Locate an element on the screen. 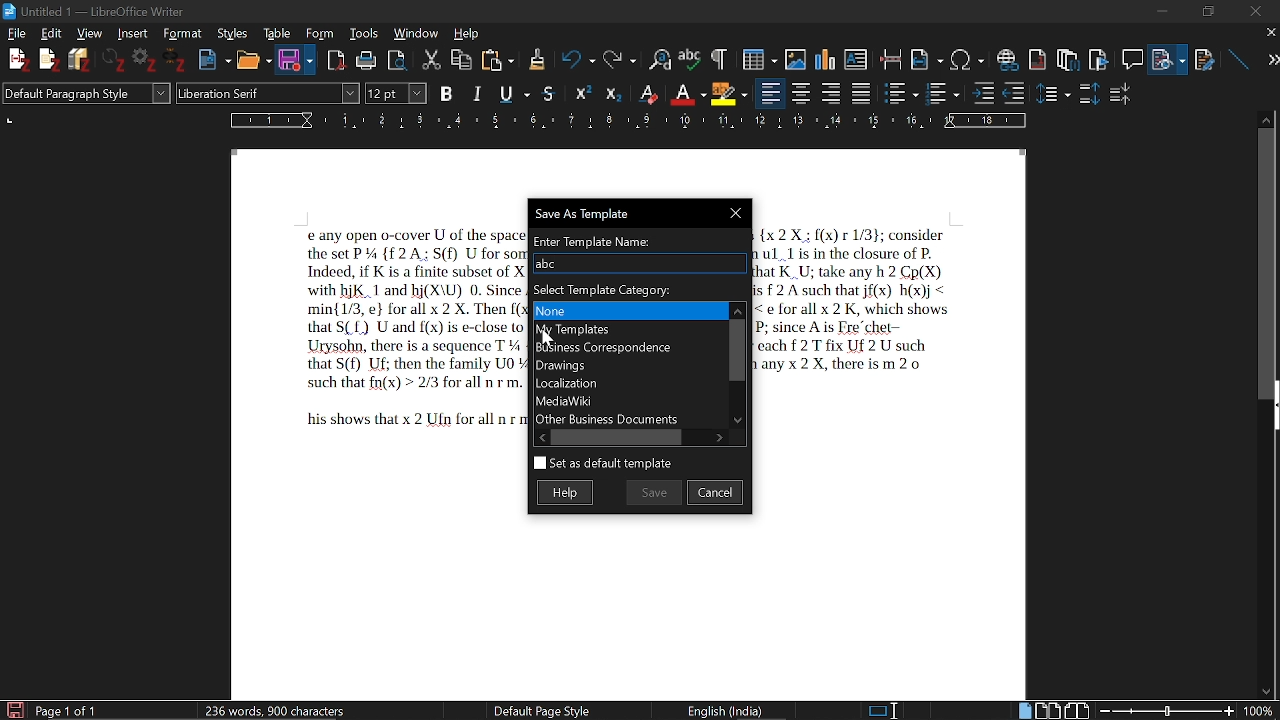 This screenshot has width=1280, height=720. Settings is located at coordinates (147, 62).